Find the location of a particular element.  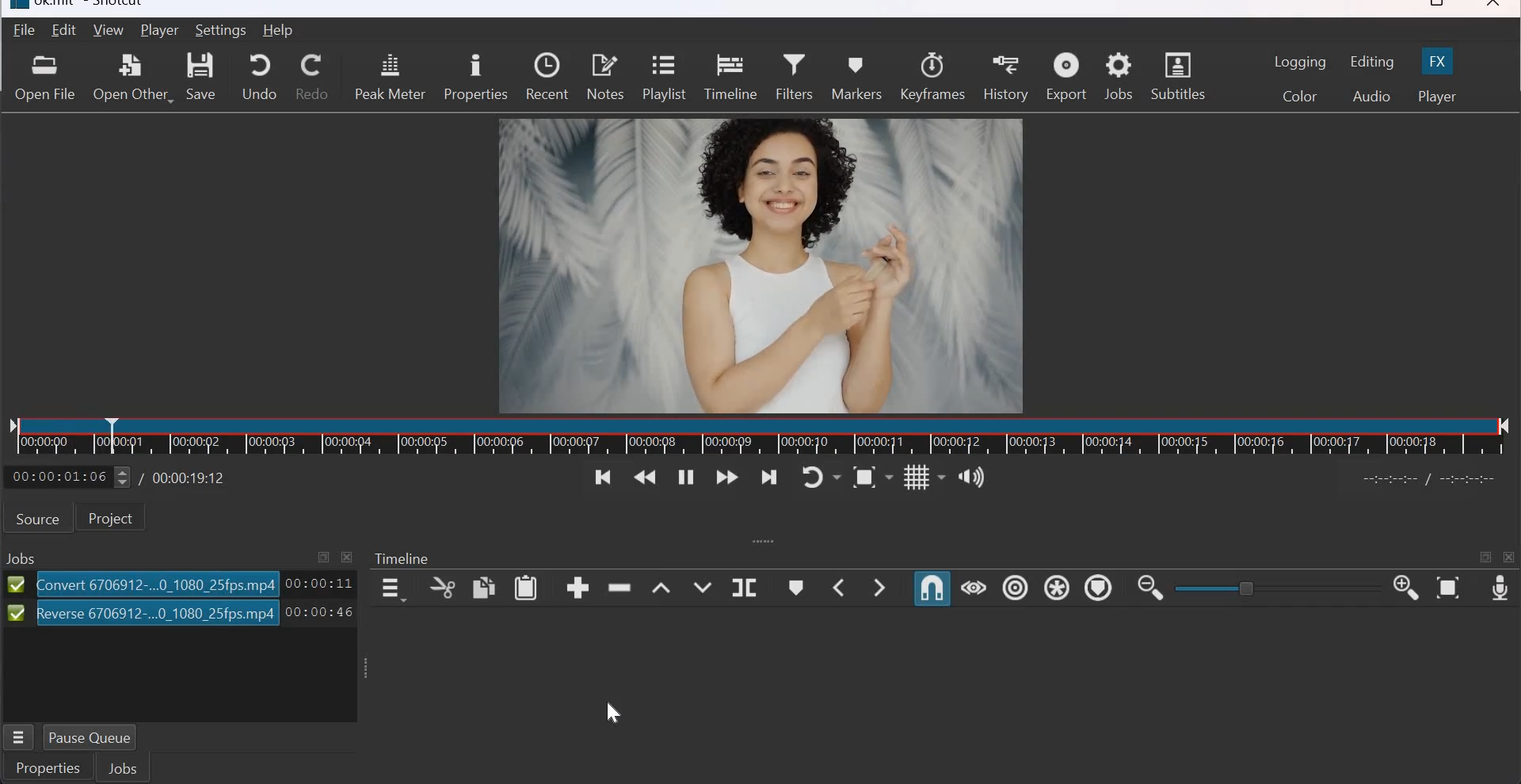

File is located at coordinates (21, 31).